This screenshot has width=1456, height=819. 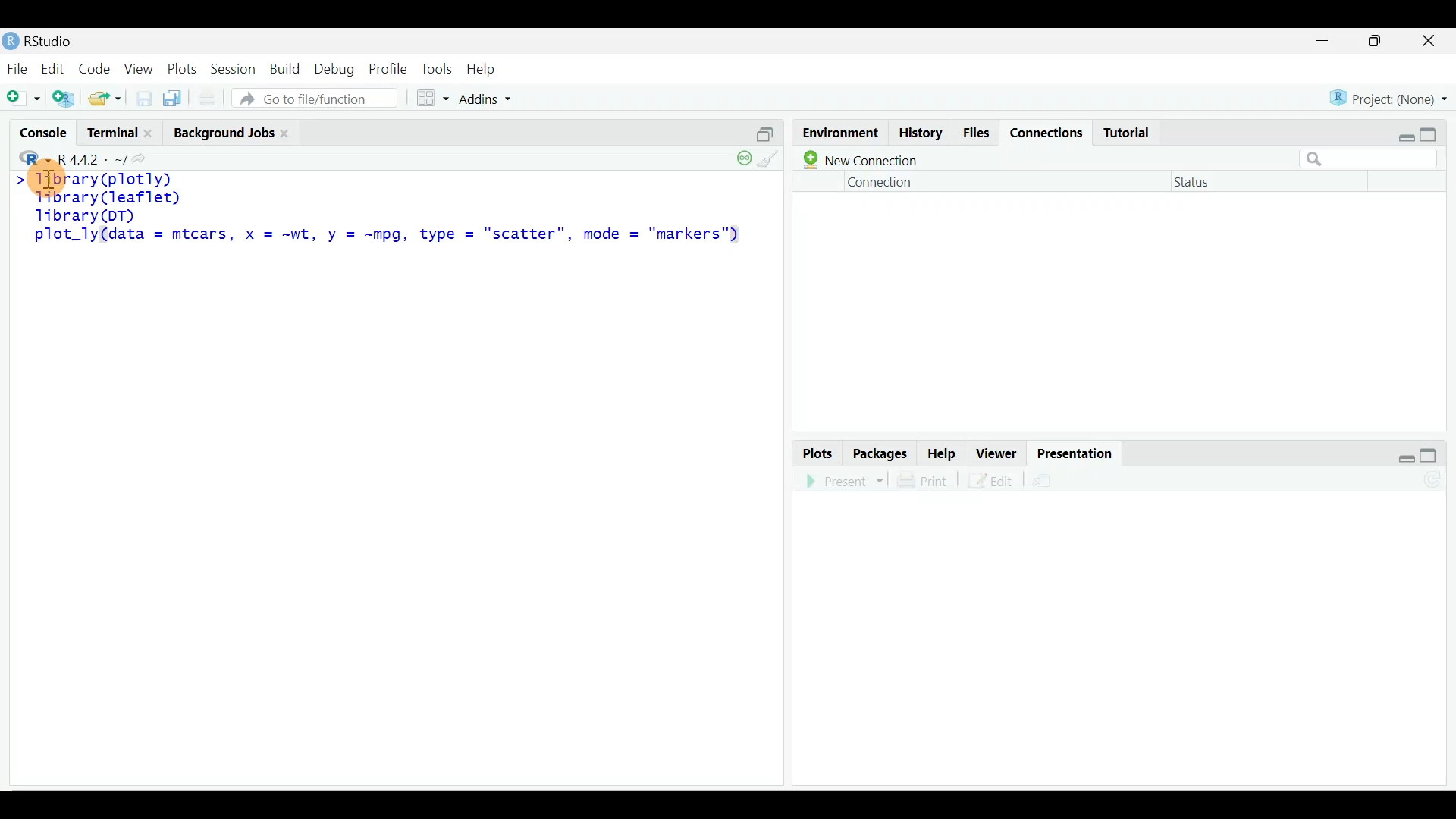 I want to click on R 4.4.2, so click(x=93, y=159).